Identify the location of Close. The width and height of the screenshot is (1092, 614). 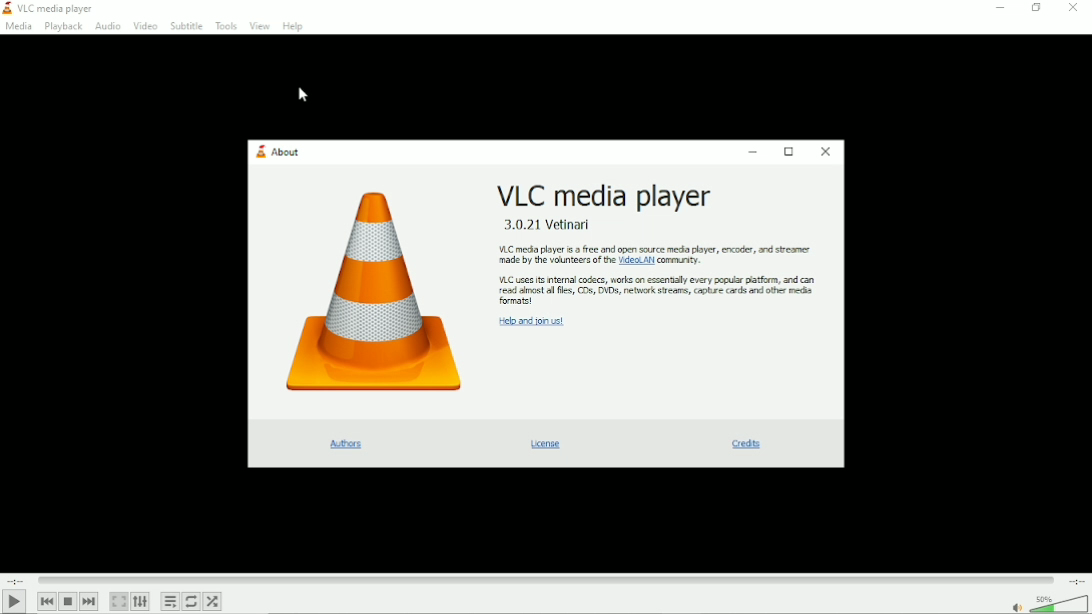
(1074, 8).